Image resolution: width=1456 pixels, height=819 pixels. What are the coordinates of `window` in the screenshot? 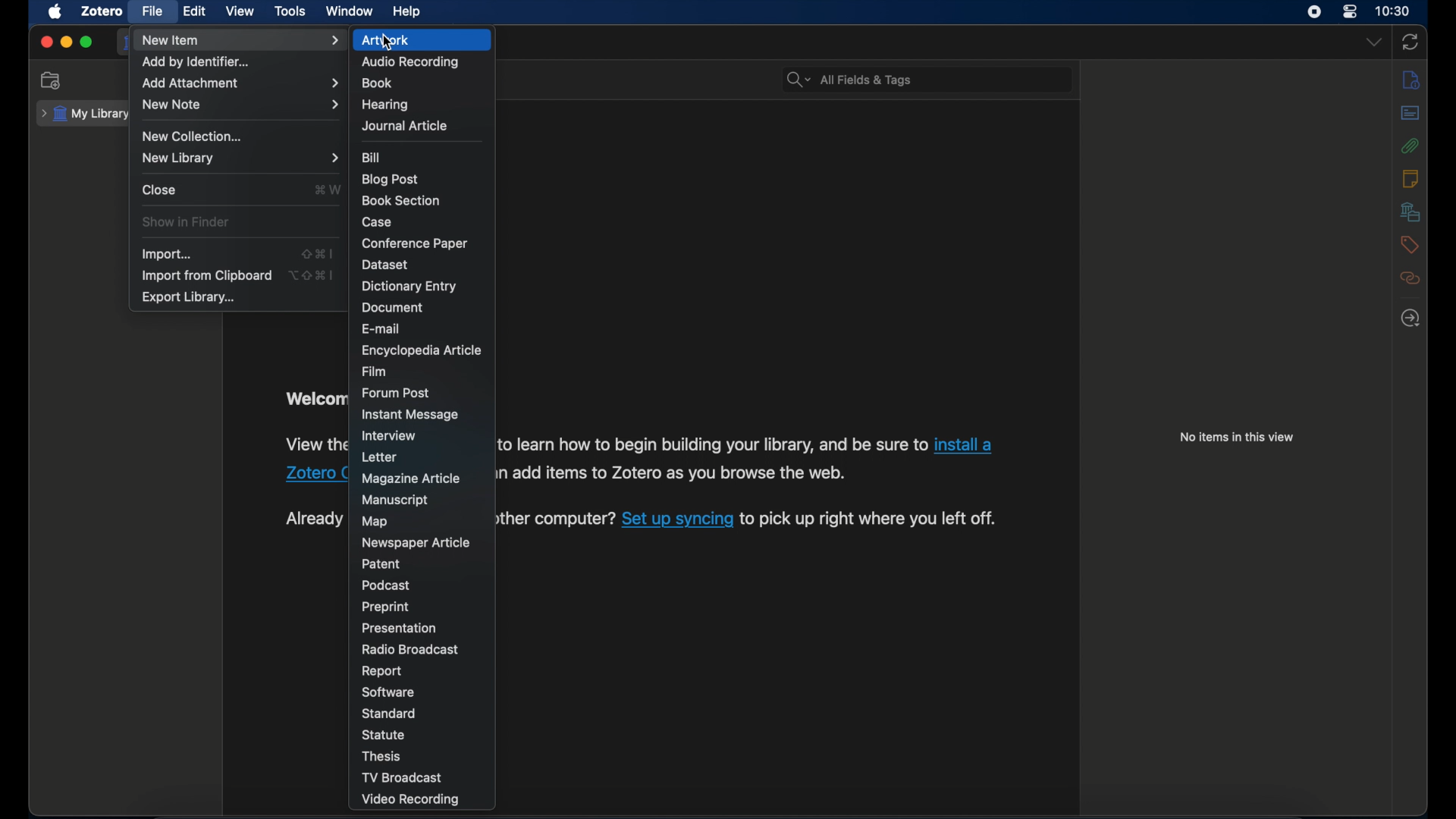 It's located at (350, 11).